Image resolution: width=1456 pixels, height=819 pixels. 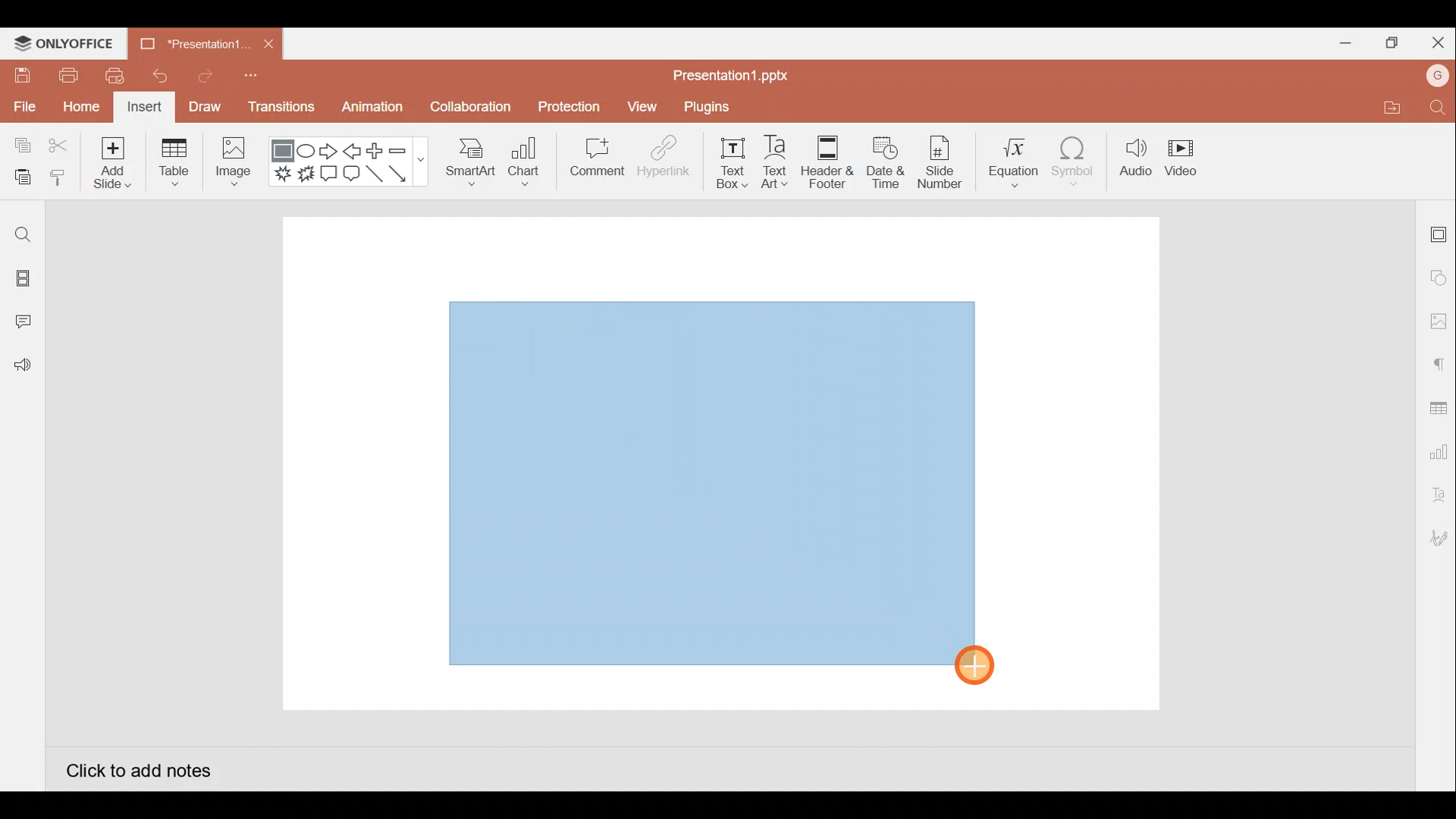 I want to click on Comments, so click(x=27, y=323).